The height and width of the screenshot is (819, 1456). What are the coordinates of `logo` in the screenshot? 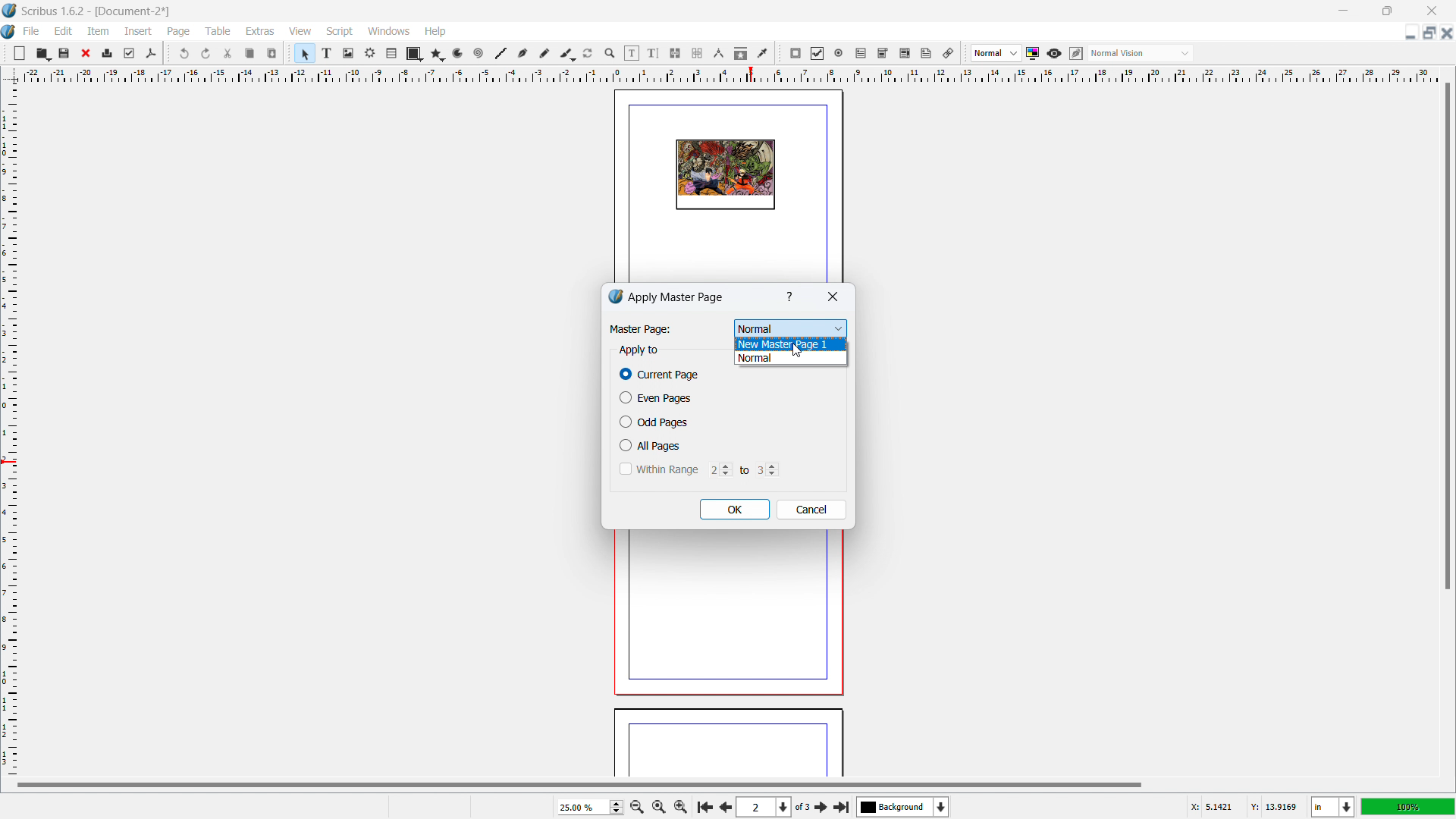 It's located at (615, 297).